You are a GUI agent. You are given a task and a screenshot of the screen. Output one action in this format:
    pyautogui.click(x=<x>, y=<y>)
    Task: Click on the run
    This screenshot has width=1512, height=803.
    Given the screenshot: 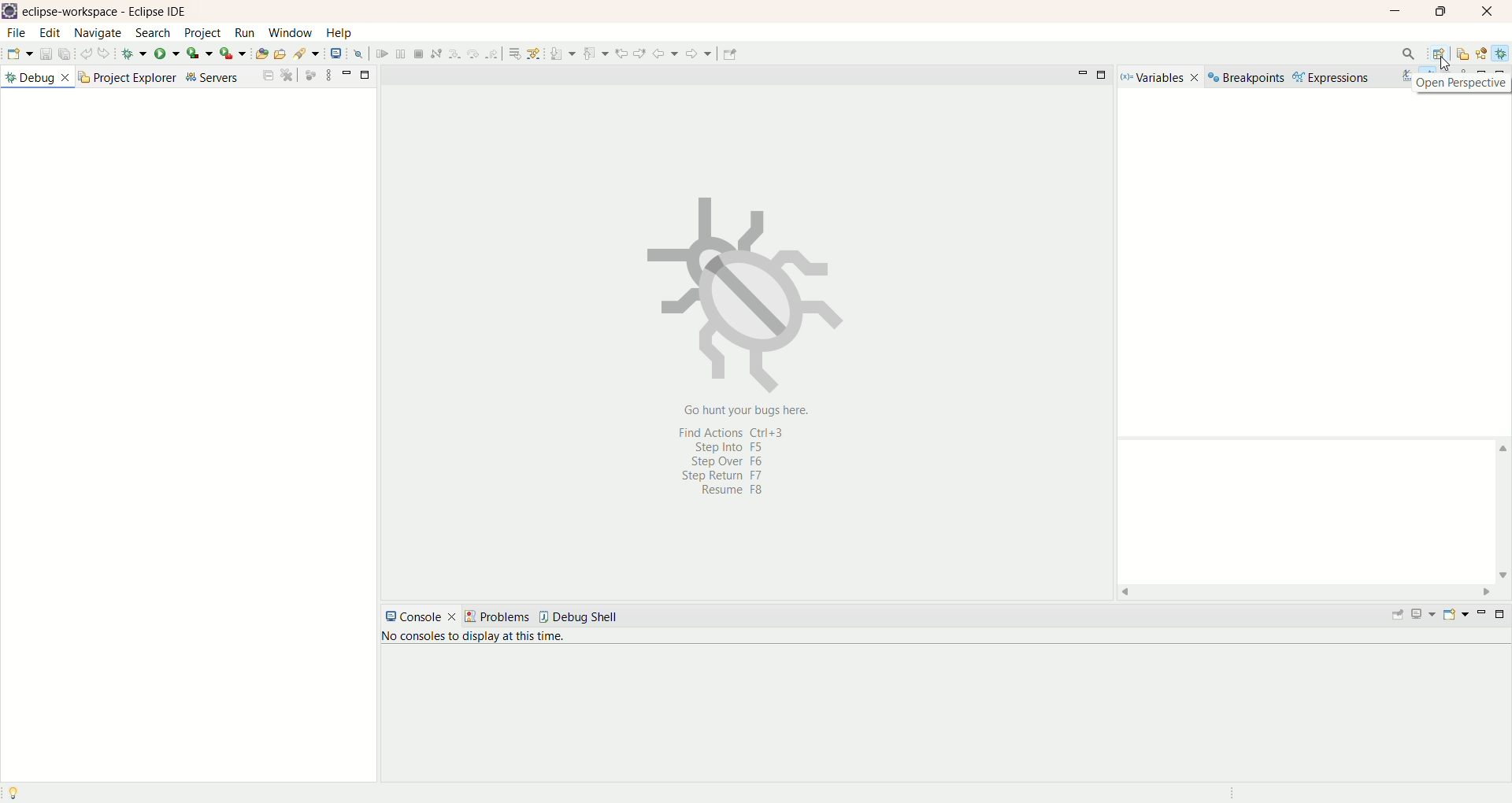 What is the action you would take?
    pyautogui.click(x=169, y=54)
    